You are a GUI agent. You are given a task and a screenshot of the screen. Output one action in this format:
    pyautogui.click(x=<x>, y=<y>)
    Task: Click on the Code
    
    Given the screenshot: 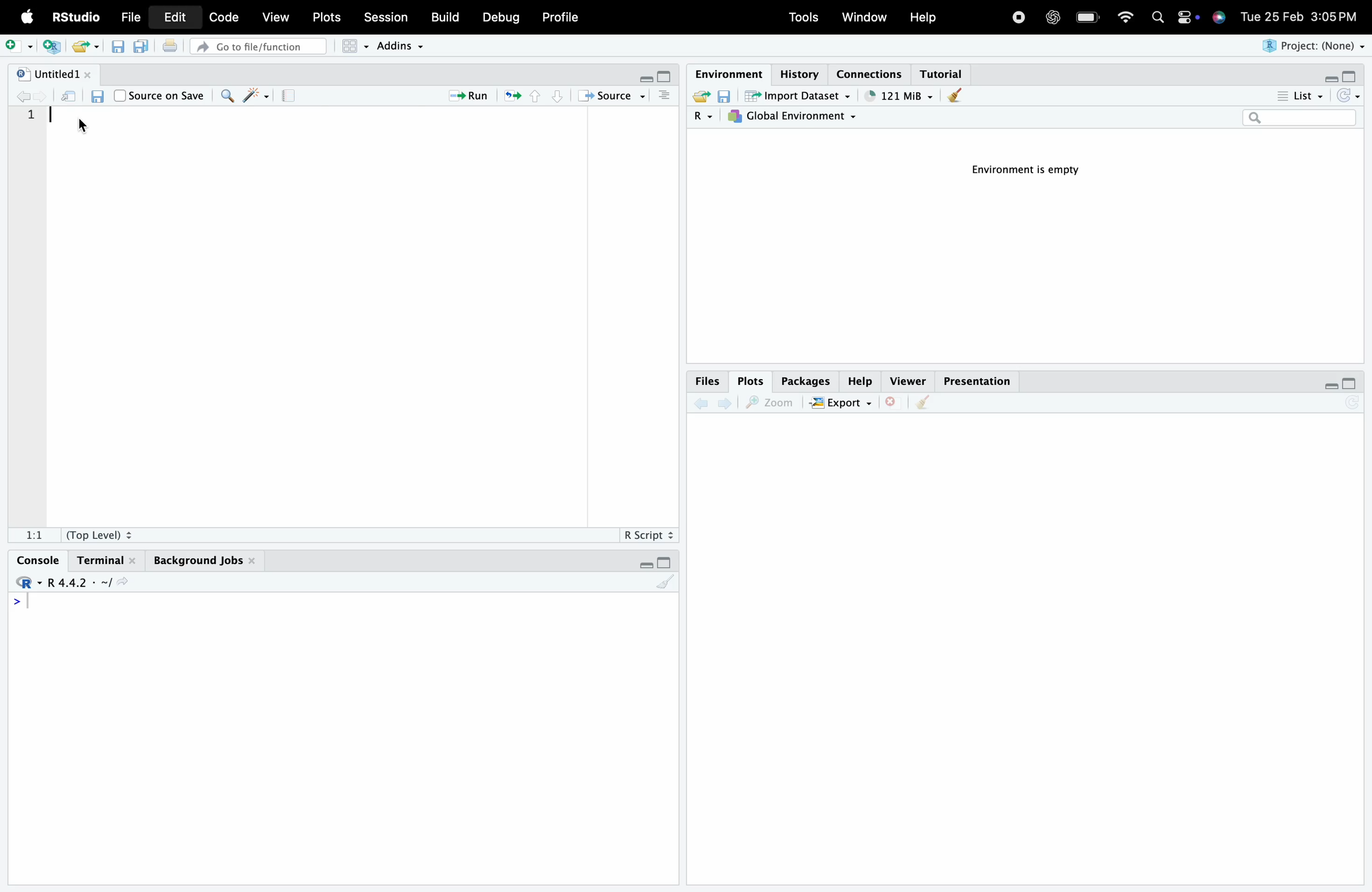 What is the action you would take?
    pyautogui.click(x=225, y=17)
    